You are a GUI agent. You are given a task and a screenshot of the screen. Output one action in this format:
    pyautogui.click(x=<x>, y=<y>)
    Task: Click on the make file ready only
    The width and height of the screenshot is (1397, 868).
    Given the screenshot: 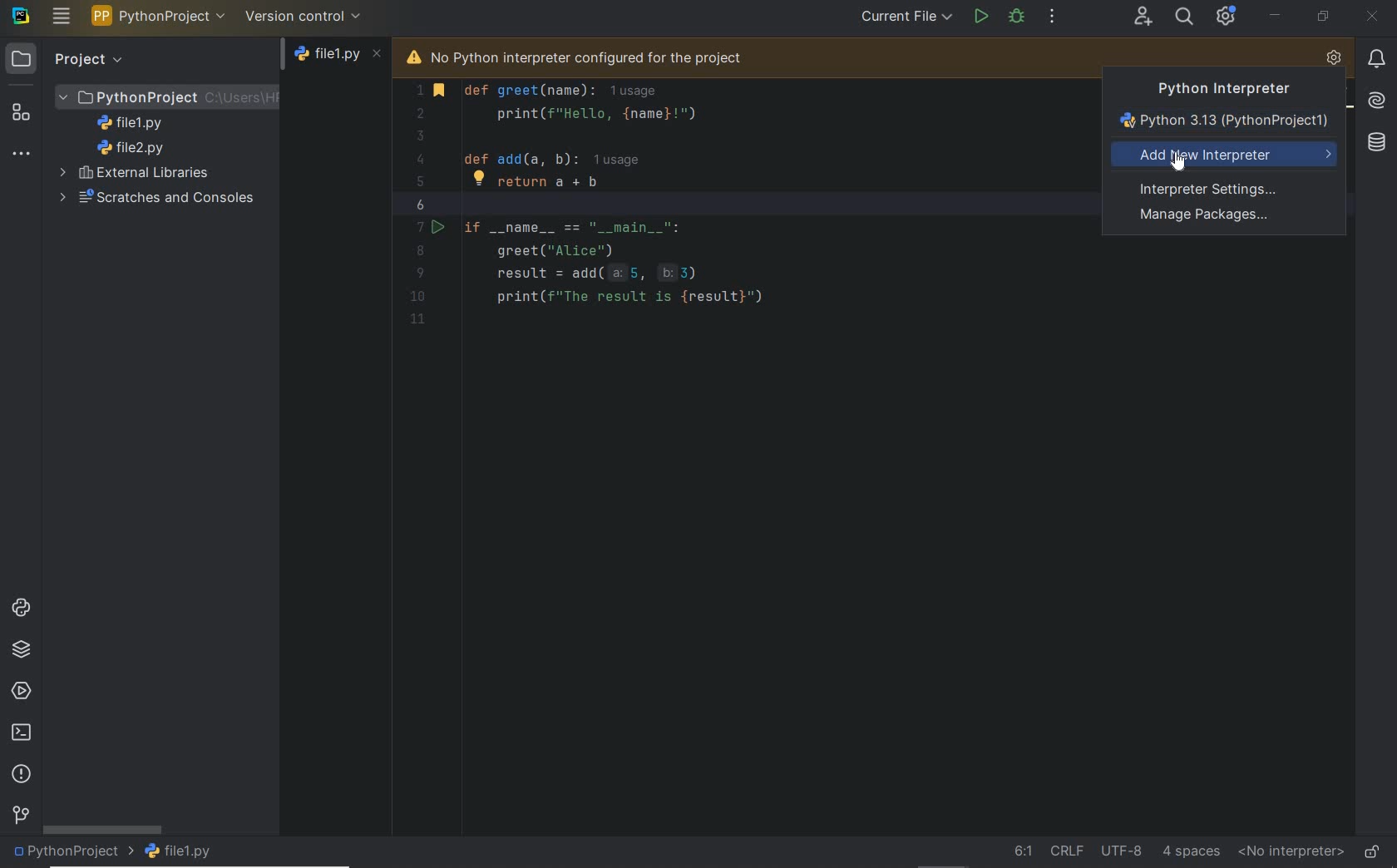 What is the action you would take?
    pyautogui.click(x=1372, y=851)
    